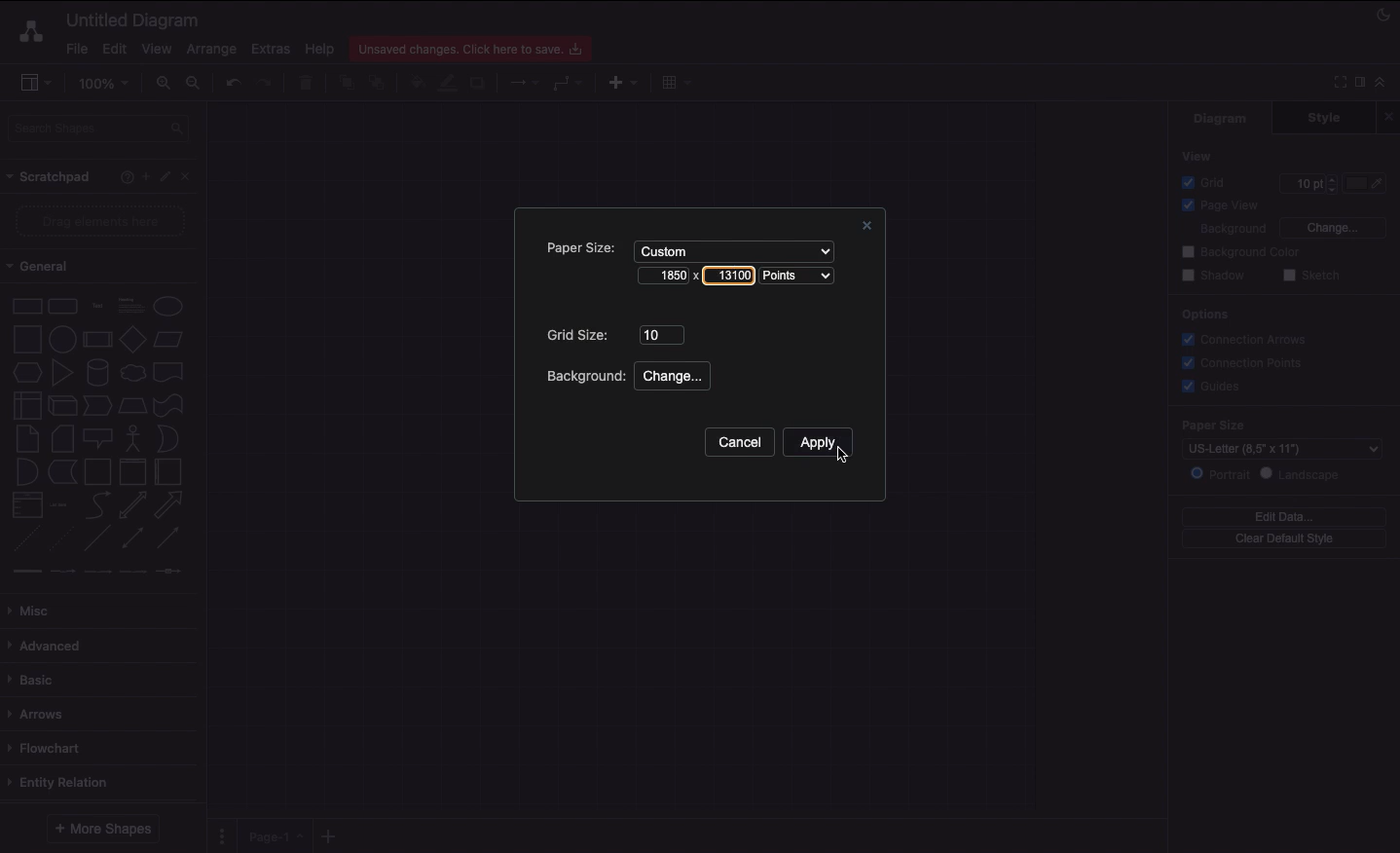 The image size is (1400, 853). Describe the element at coordinates (103, 221) in the screenshot. I see `Drag elements here` at that location.